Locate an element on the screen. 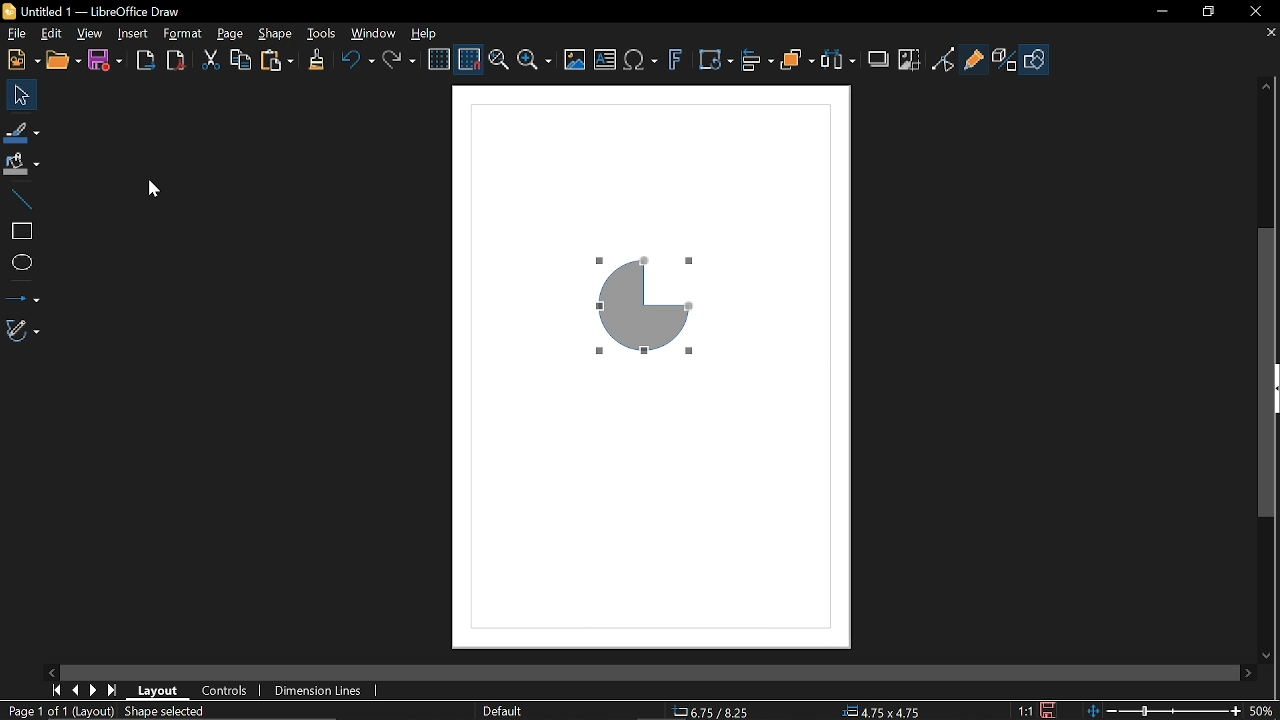  4.75x4.75 (object size) is located at coordinates (880, 712).